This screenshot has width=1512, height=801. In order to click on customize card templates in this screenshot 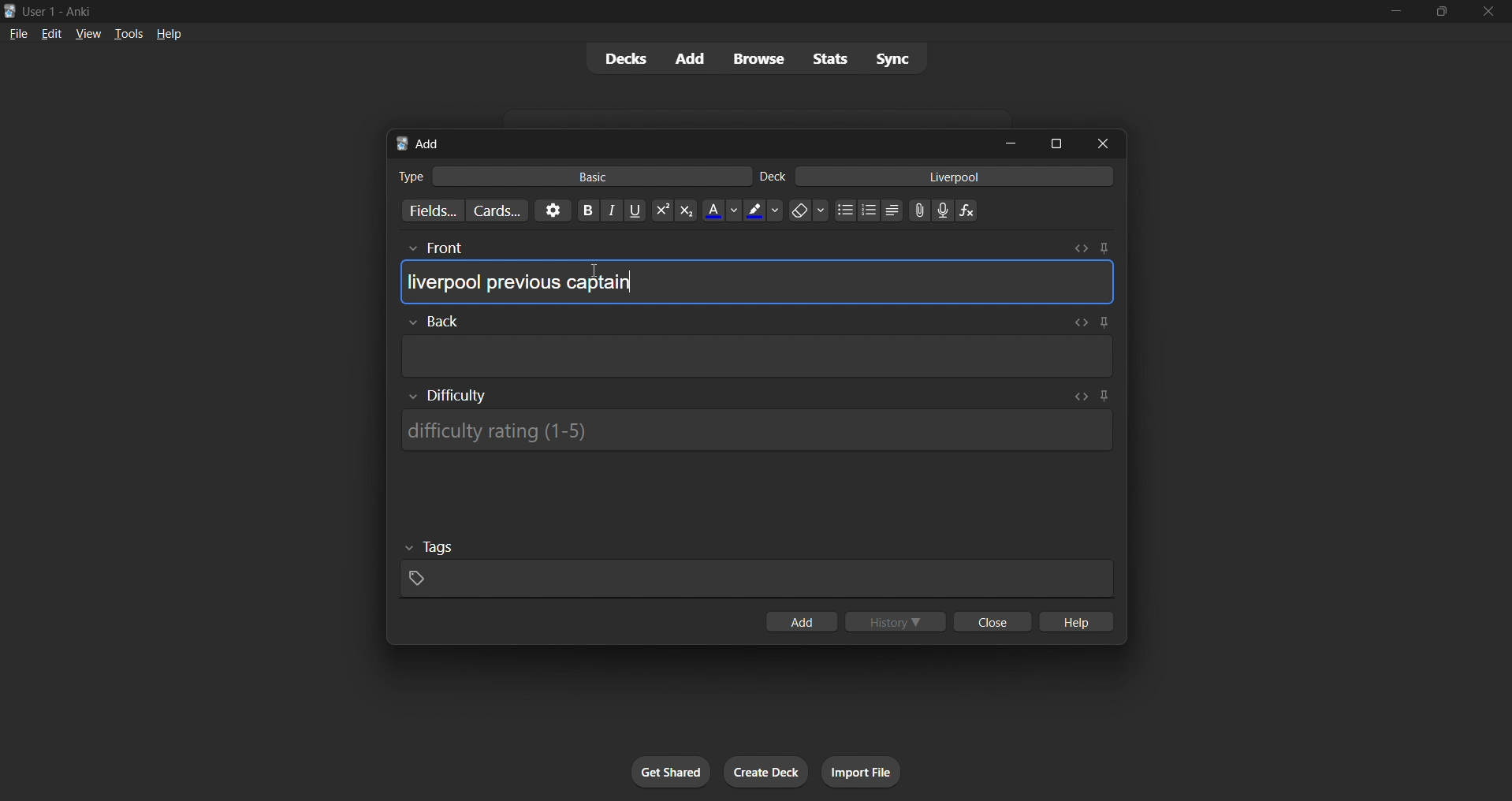, I will do `click(495, 210)`.